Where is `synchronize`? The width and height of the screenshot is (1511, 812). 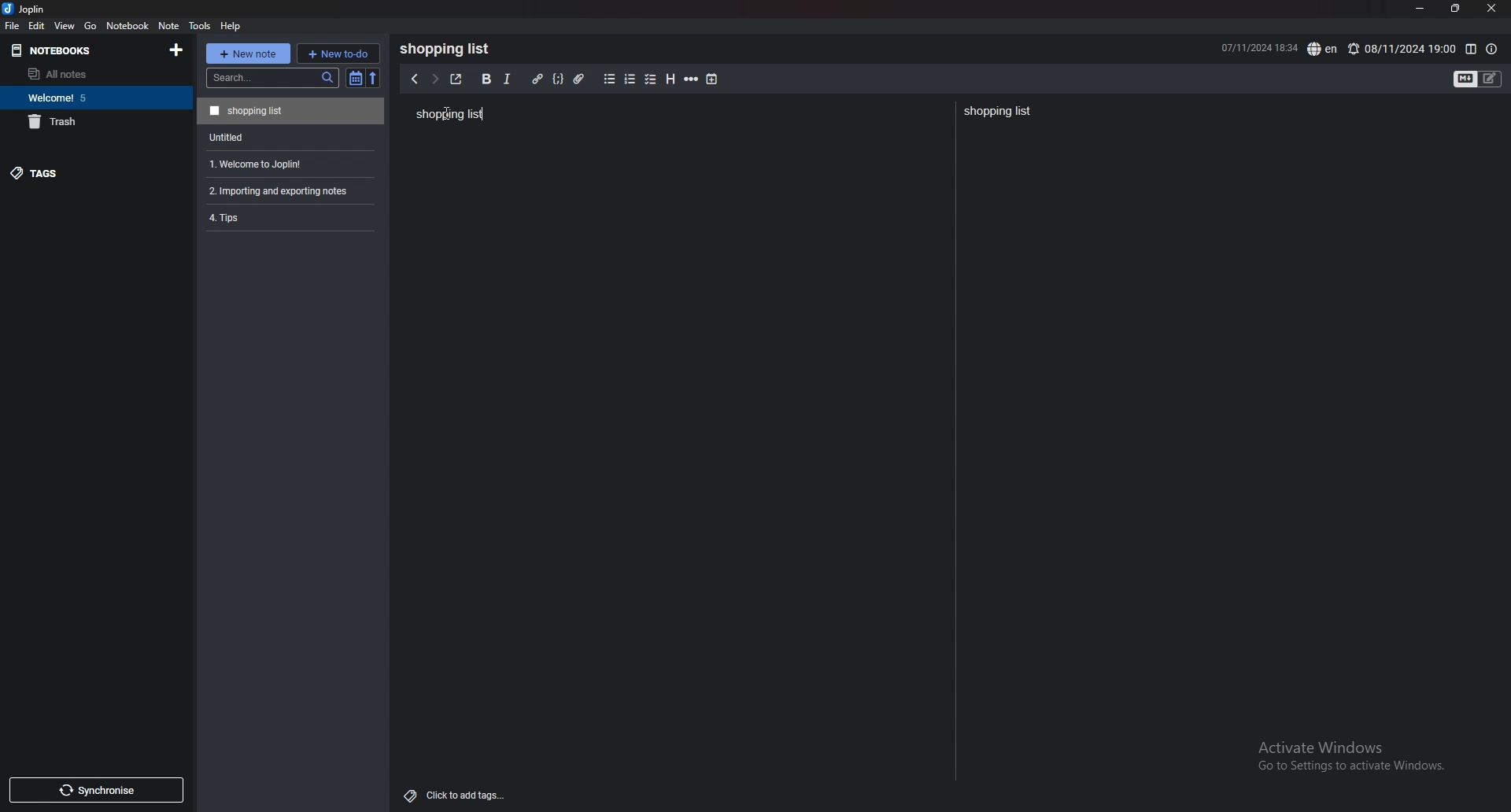
synchronize is located at coordinates (95, 790).